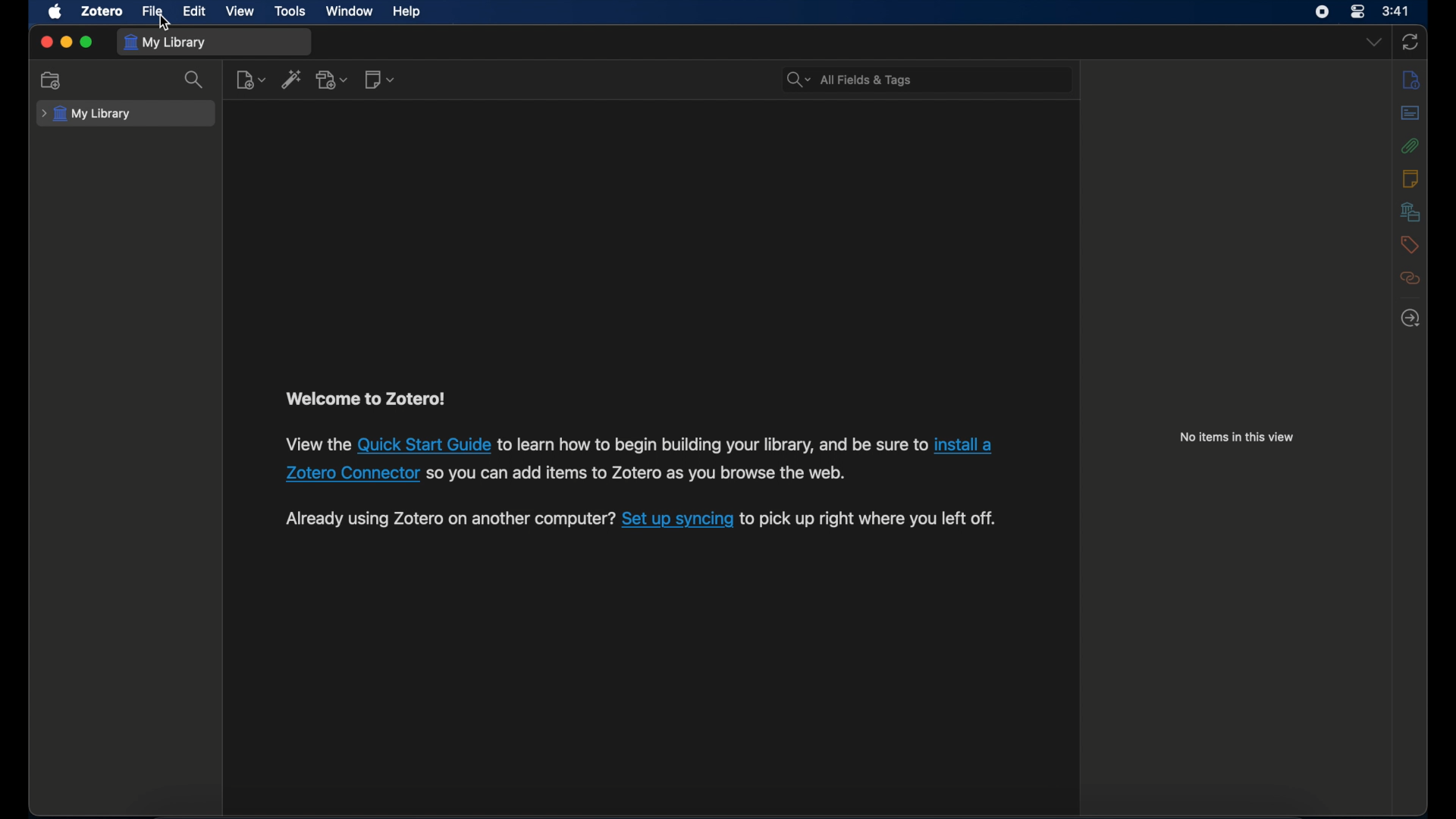 The height and width of the screenshot is (819, 1456). Describe the element at coordinates (167, 42) in the screenshot. I see `my library` at that location.